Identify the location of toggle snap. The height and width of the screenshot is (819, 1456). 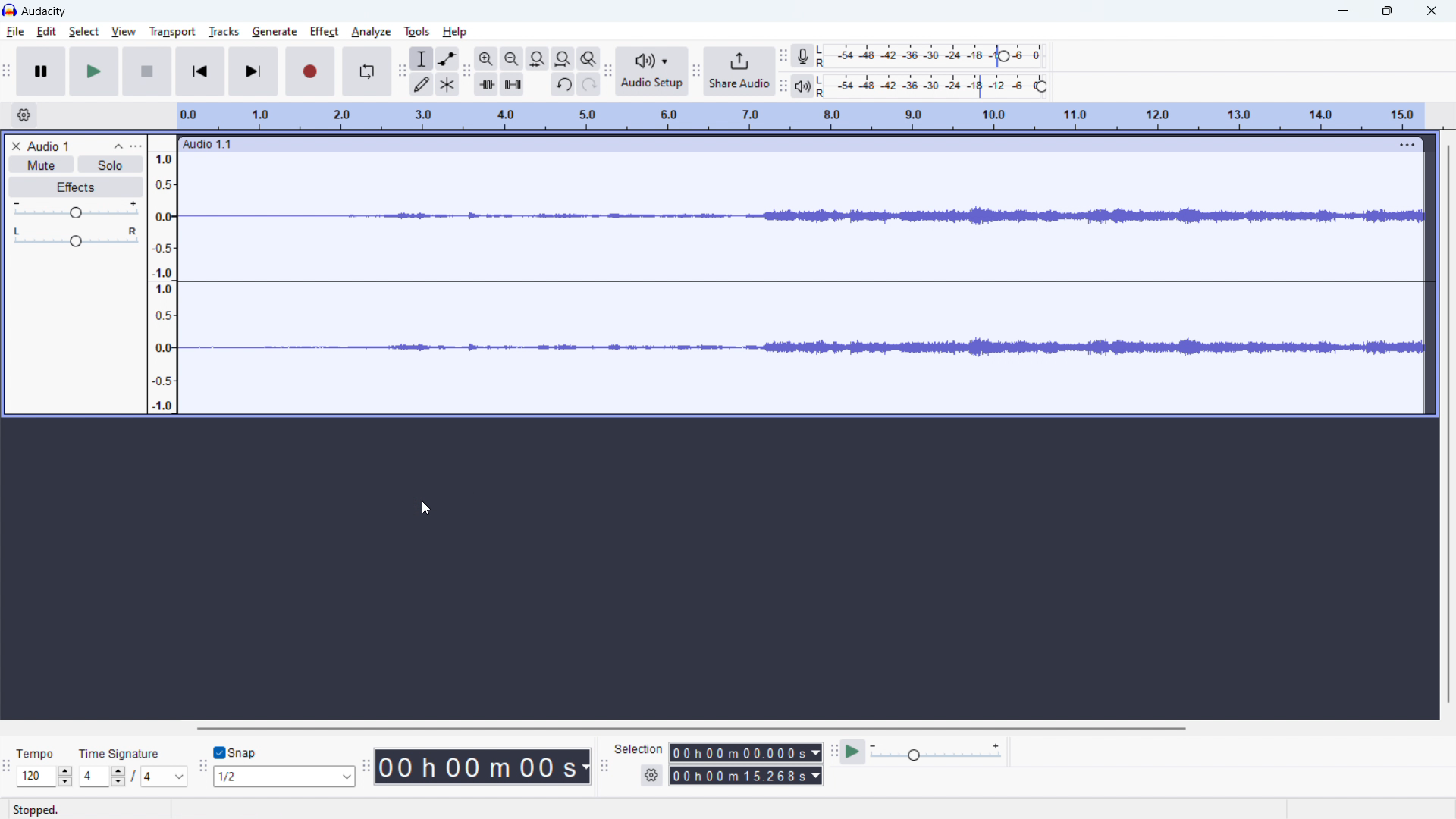
(236, 753).